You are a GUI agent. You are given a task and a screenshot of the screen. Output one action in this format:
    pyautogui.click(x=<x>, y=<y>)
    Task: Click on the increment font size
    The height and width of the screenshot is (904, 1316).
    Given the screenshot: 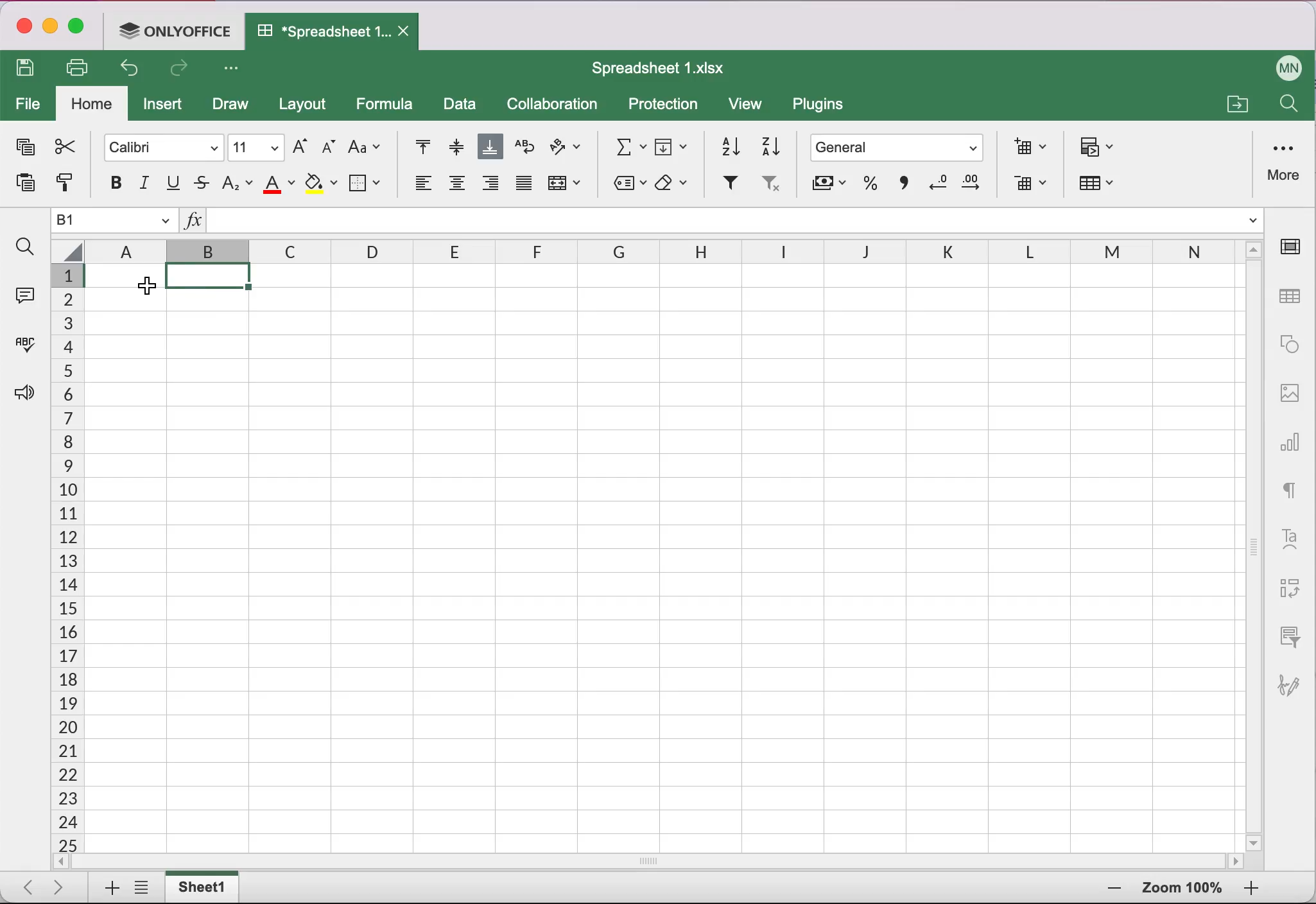 What is the action you would take?
    pyautogui.click(x=299, y=146)
    